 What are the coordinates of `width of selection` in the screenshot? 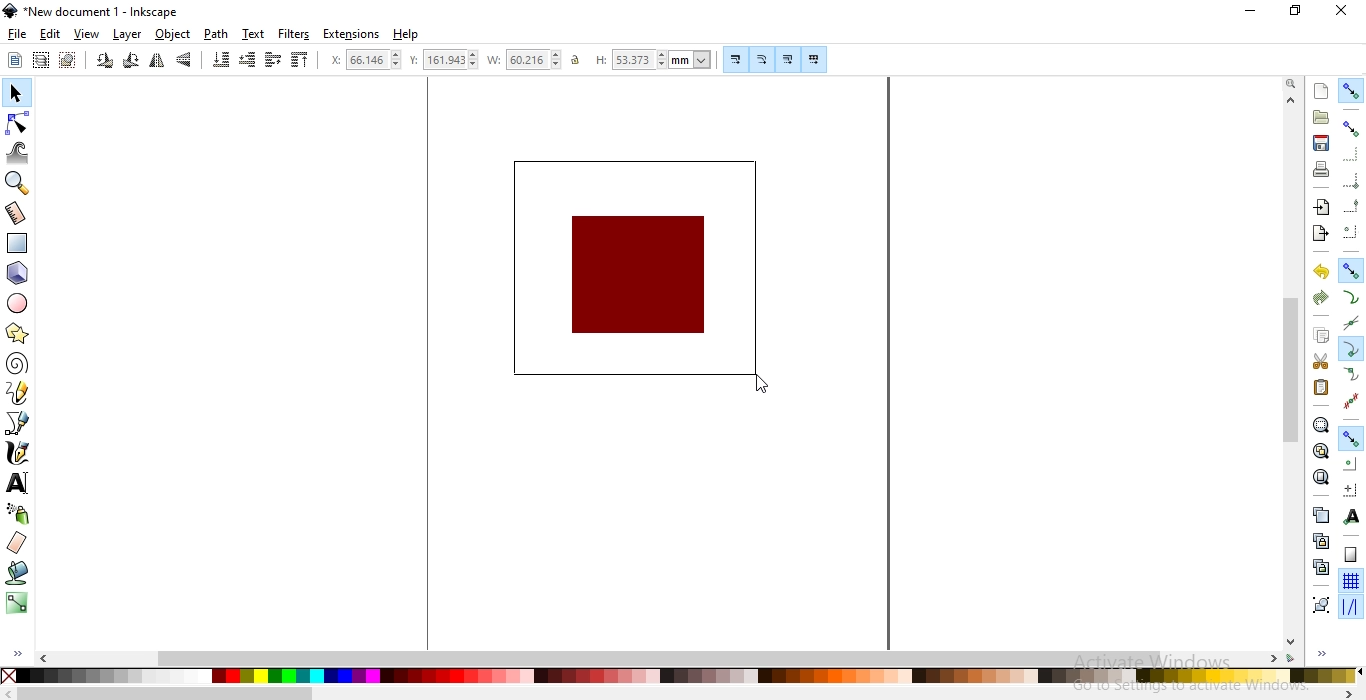 It's located at (496, 60).